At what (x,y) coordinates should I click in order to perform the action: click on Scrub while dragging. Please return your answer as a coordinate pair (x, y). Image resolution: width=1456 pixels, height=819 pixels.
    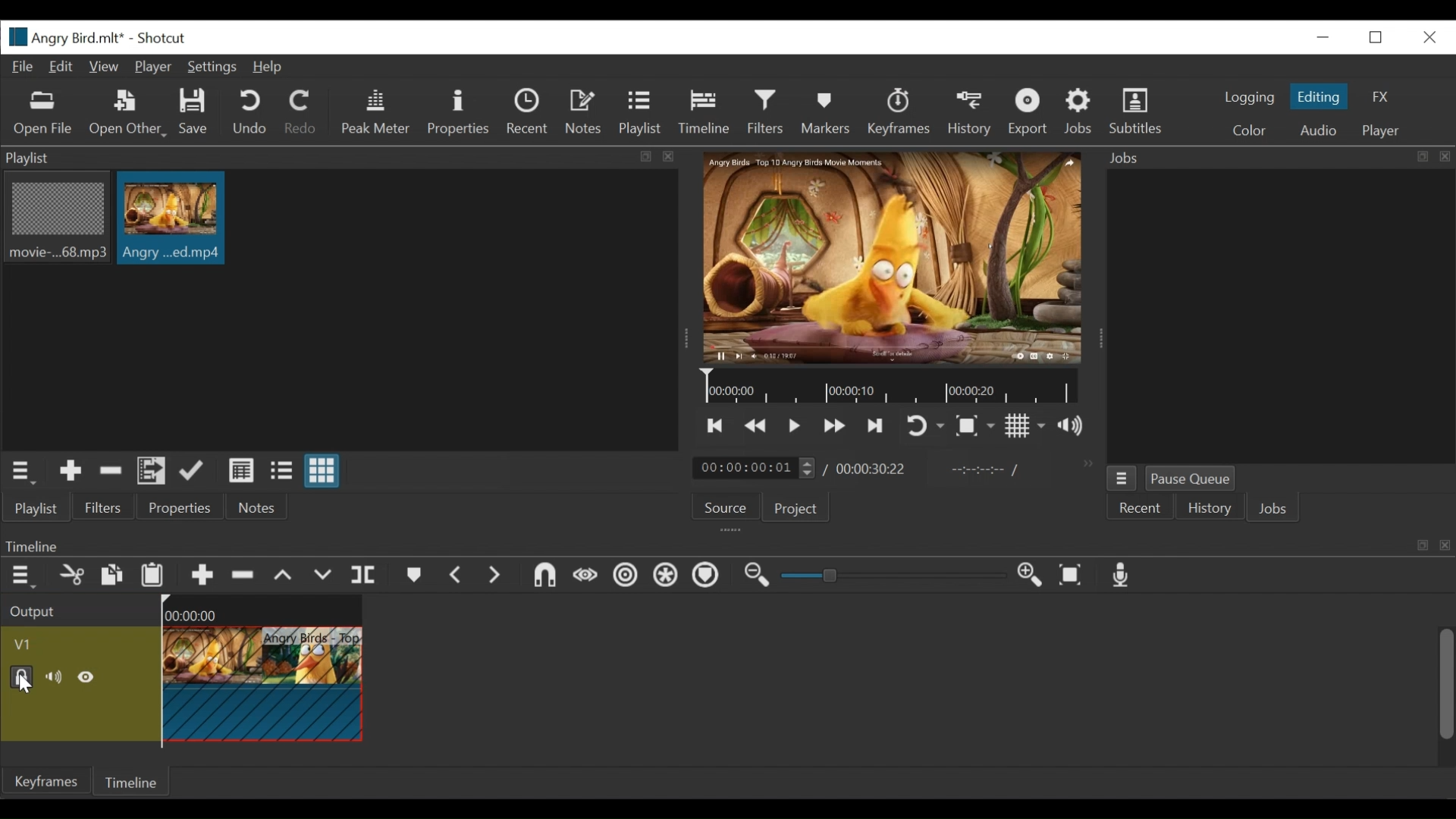
    Looking at the image, I should click on (585, 578).